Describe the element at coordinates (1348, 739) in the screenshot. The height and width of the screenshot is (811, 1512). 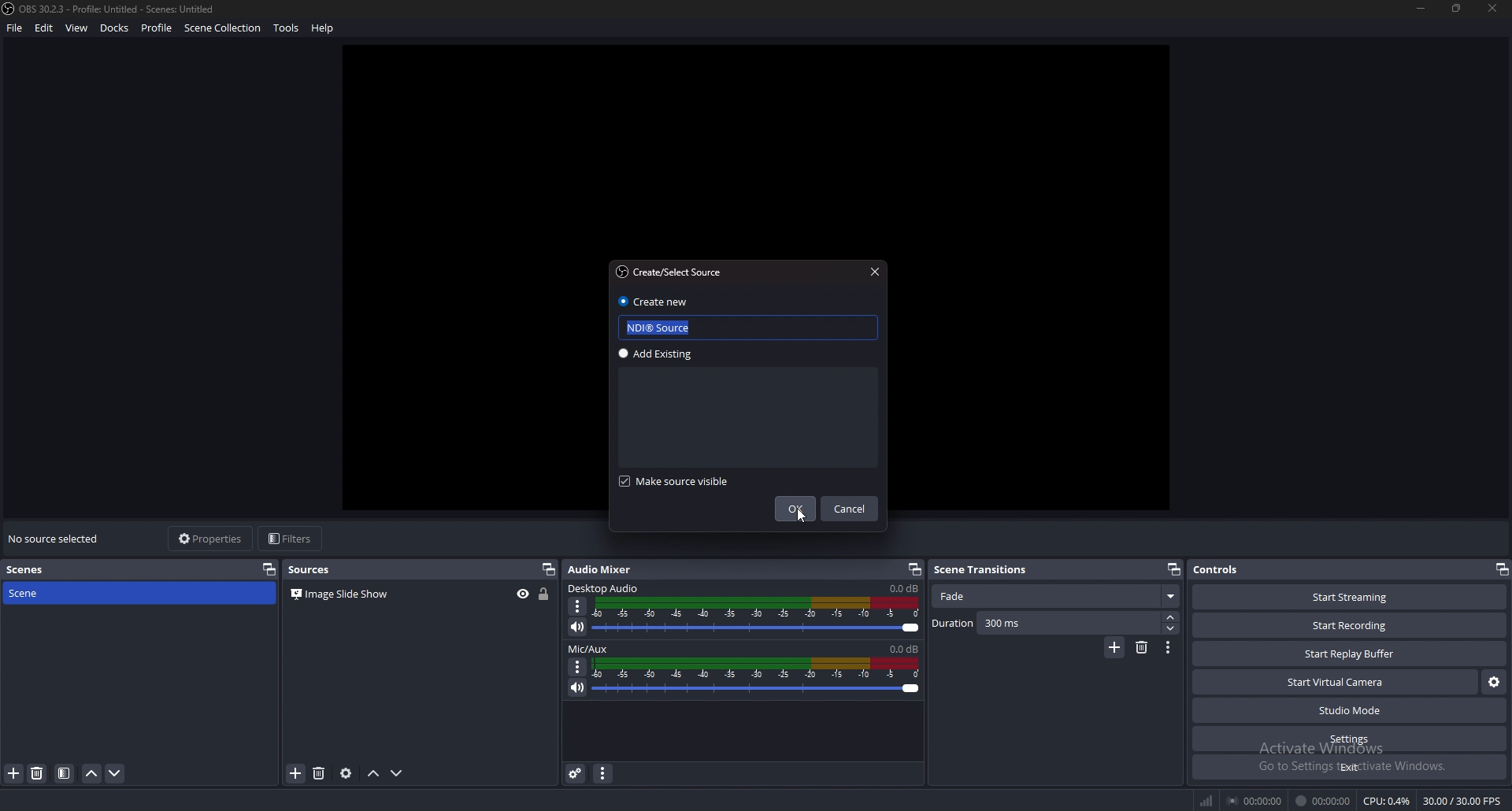
I see `settings` at that location.